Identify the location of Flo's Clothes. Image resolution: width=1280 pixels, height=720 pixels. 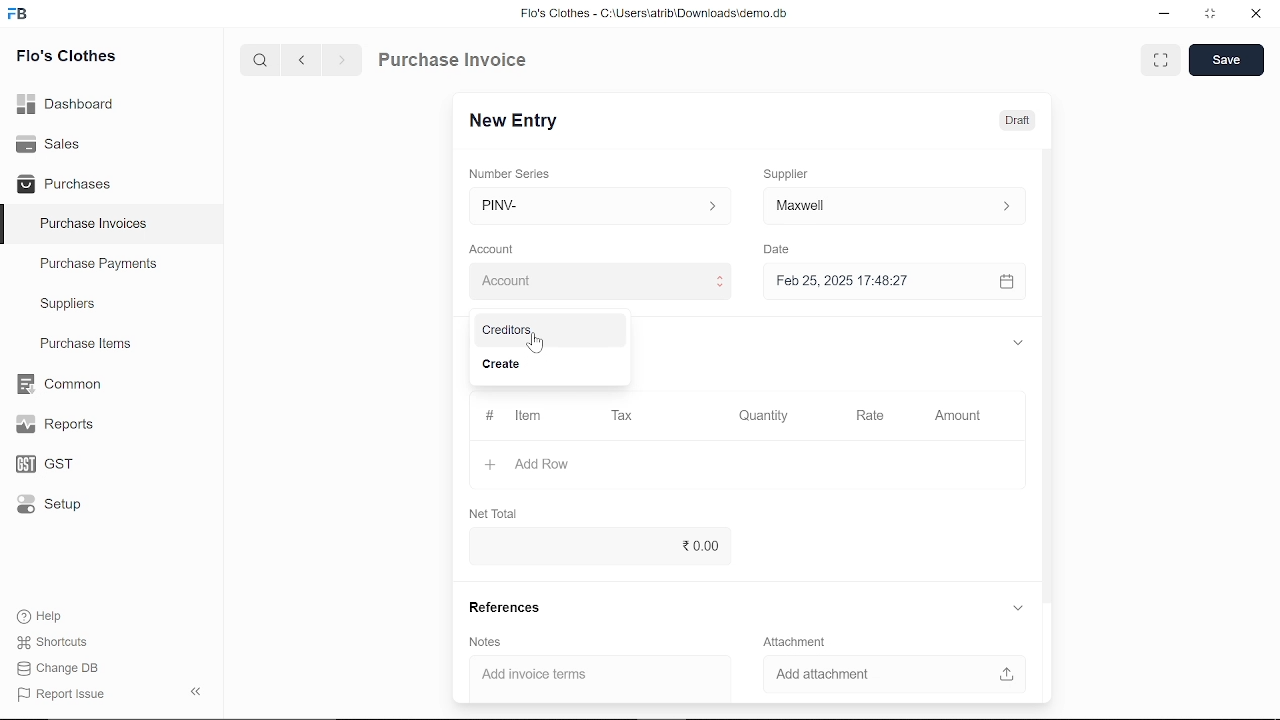
(66, 57).